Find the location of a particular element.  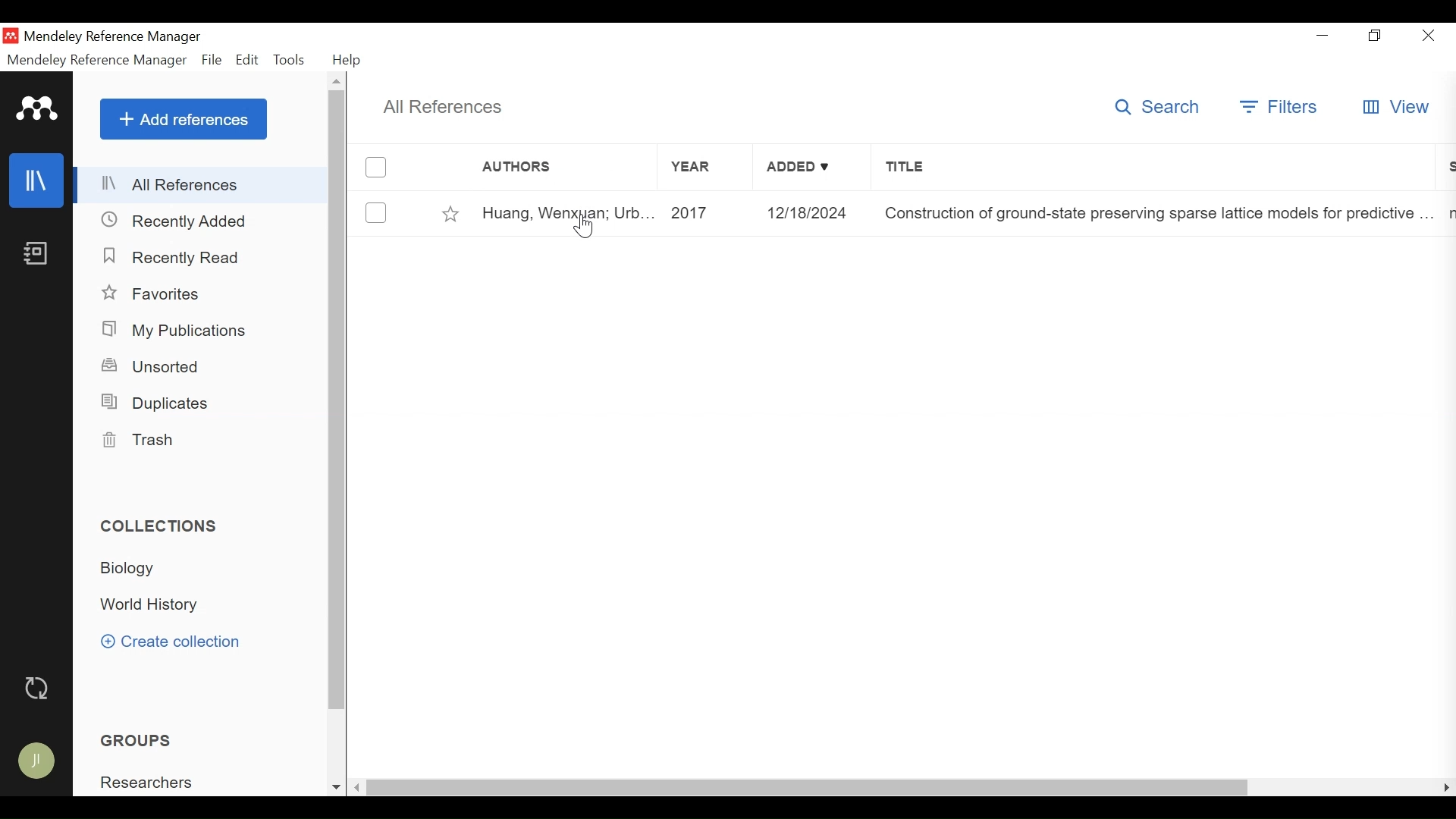

Mendeley Desktop Icon is located at coordinates (11, 36).